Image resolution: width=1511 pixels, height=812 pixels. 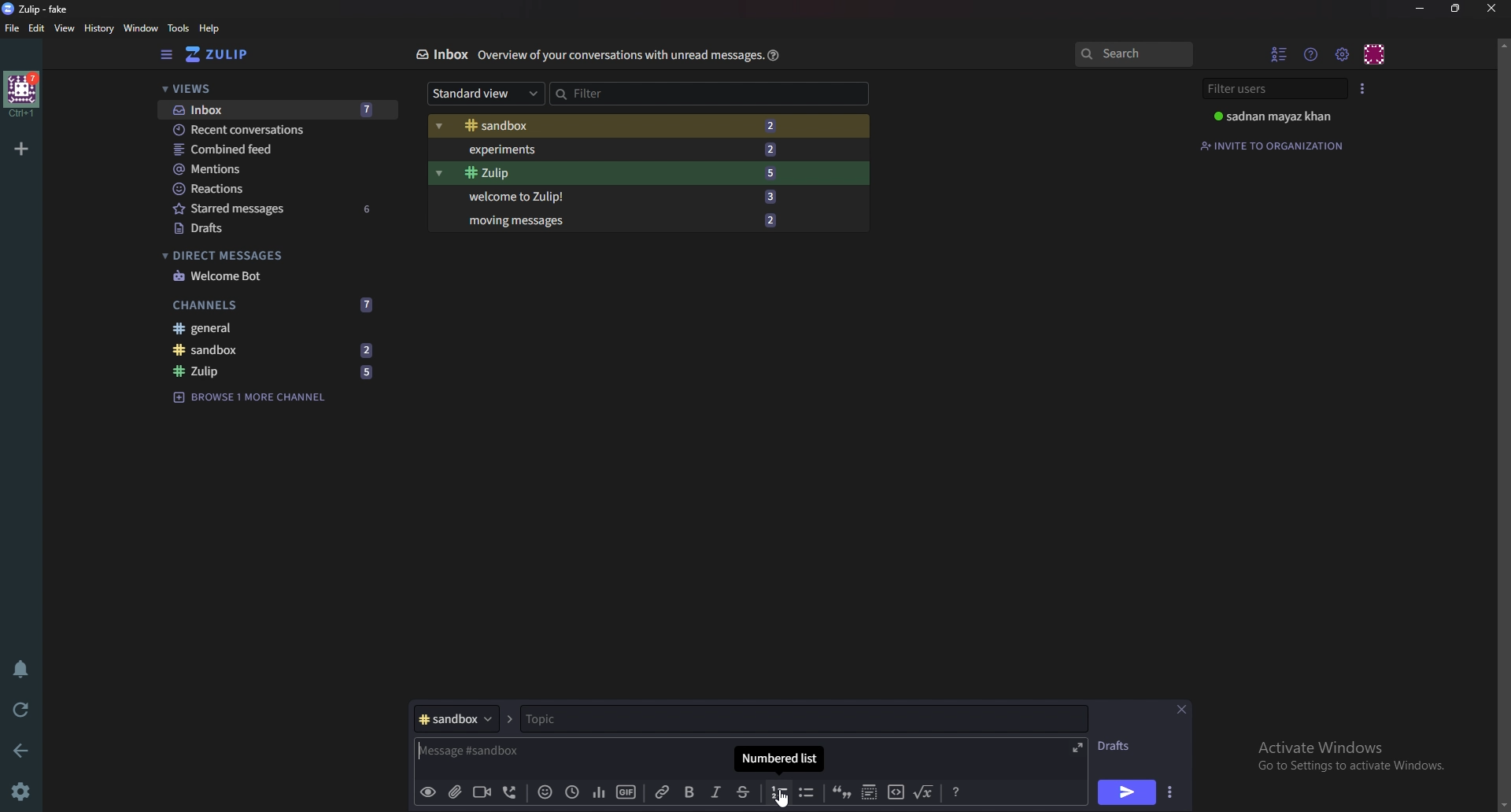 I want to click on History, so click(x=98, y=28).